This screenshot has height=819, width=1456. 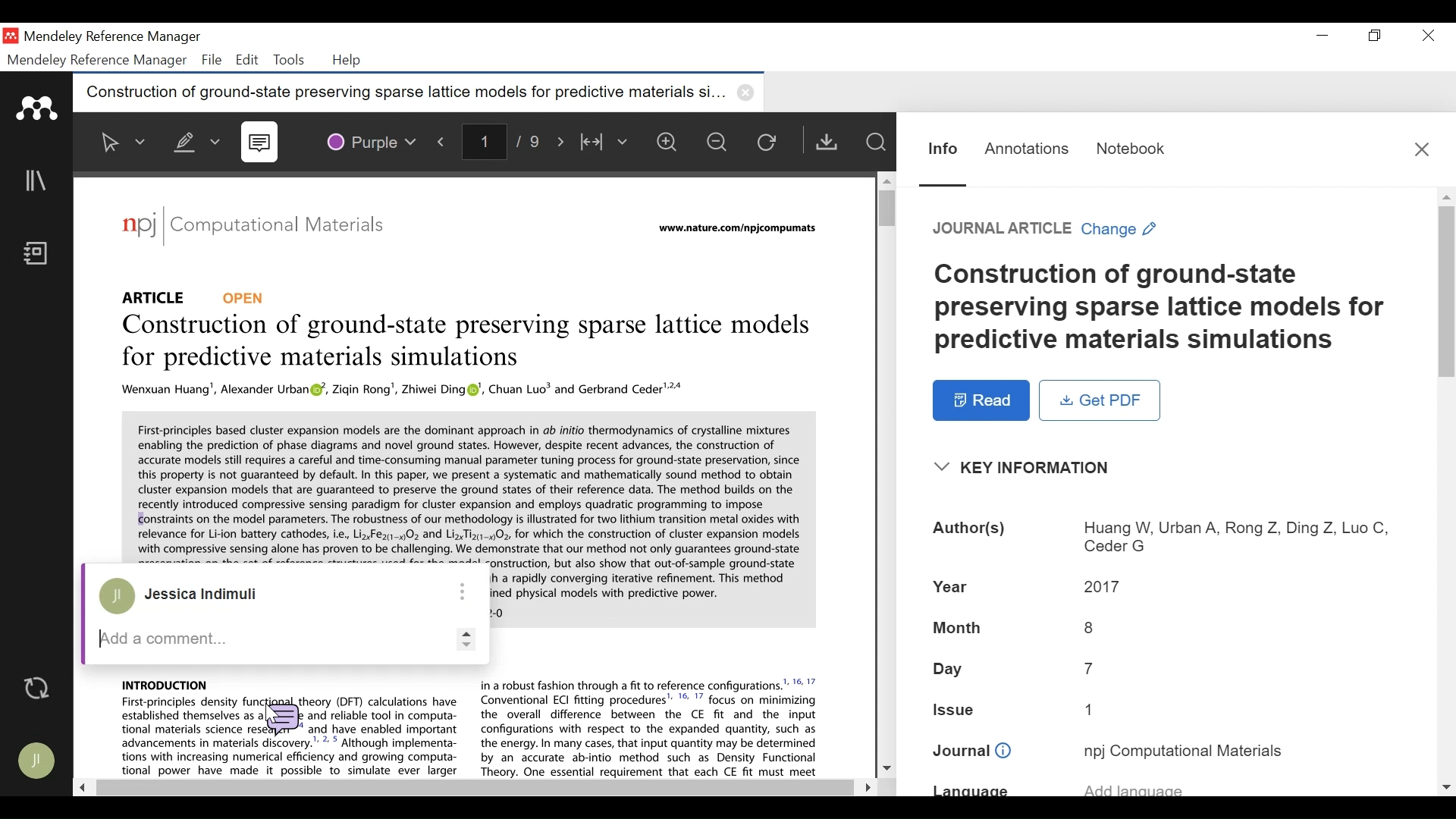 I want to click on Annotations, so click(x=1027, y=147).